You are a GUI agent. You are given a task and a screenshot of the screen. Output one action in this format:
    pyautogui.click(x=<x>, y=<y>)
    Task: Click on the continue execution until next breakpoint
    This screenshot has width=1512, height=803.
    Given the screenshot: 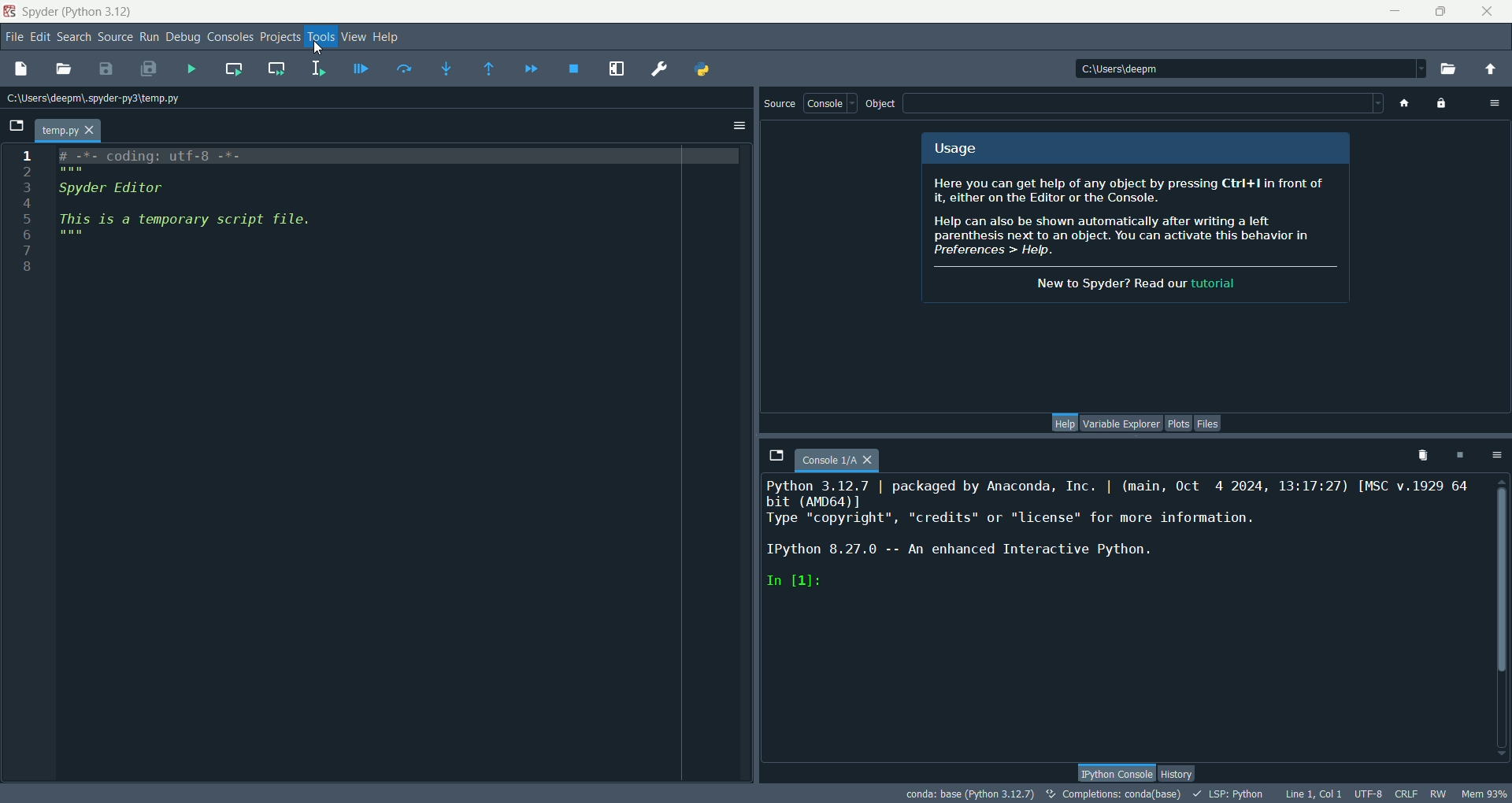 What is the action you would take?
    pyautogui.click(x=533, y=70)
    